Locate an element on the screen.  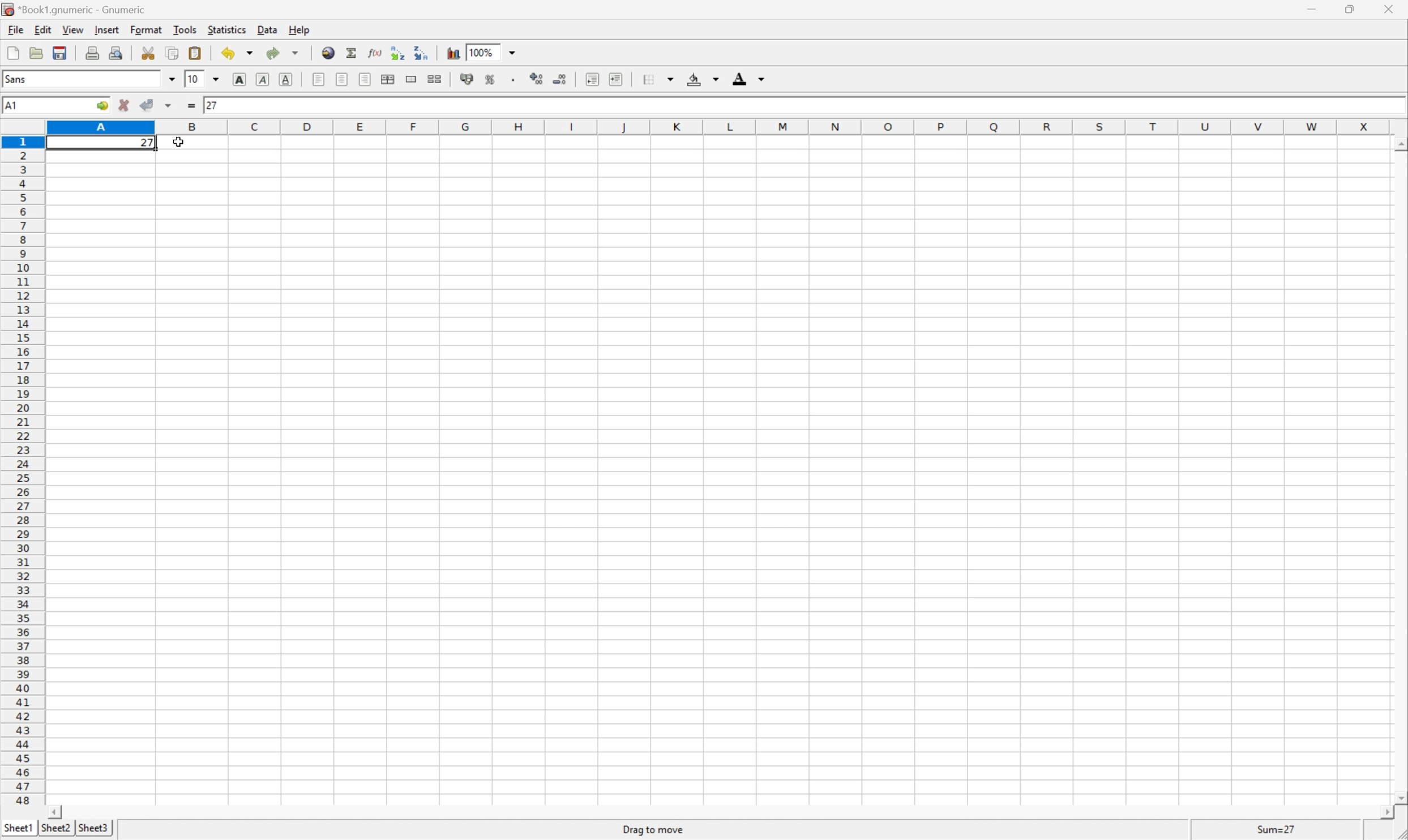
Redo is located at coordinates (281, 53).